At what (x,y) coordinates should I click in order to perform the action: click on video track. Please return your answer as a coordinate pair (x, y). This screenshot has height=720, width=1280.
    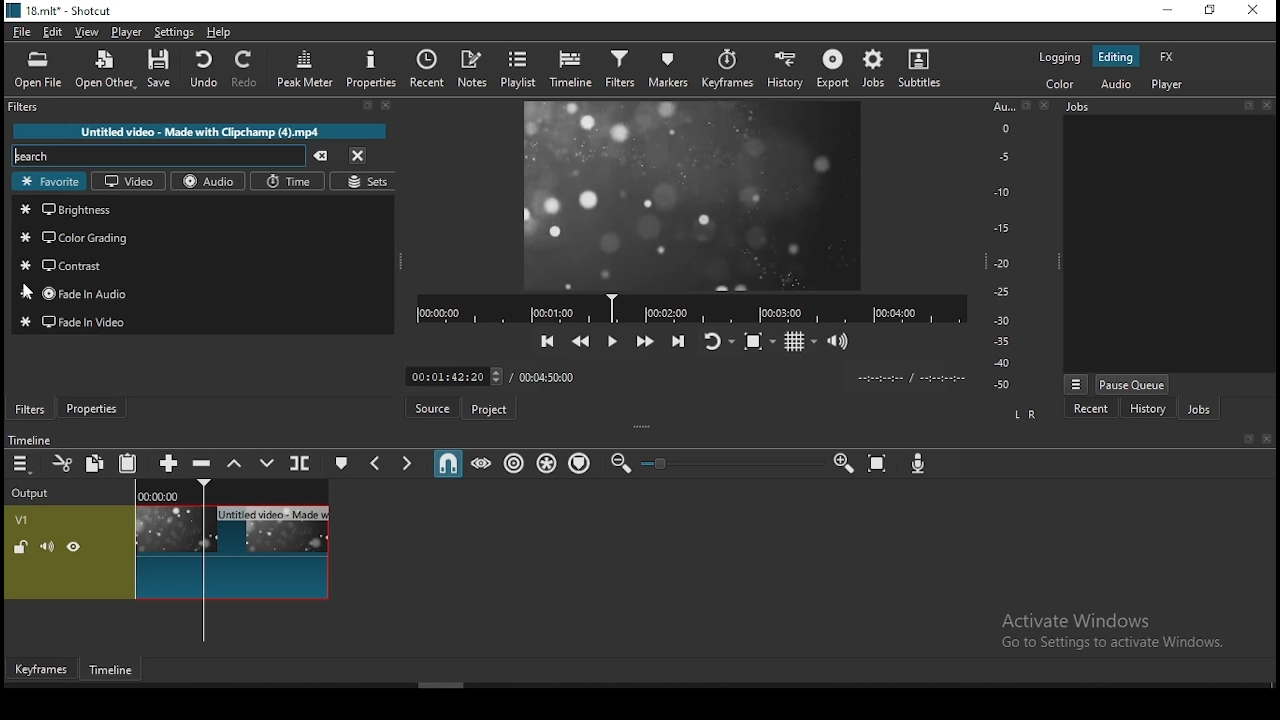
    Looking at the image, I should click on (167, 552).